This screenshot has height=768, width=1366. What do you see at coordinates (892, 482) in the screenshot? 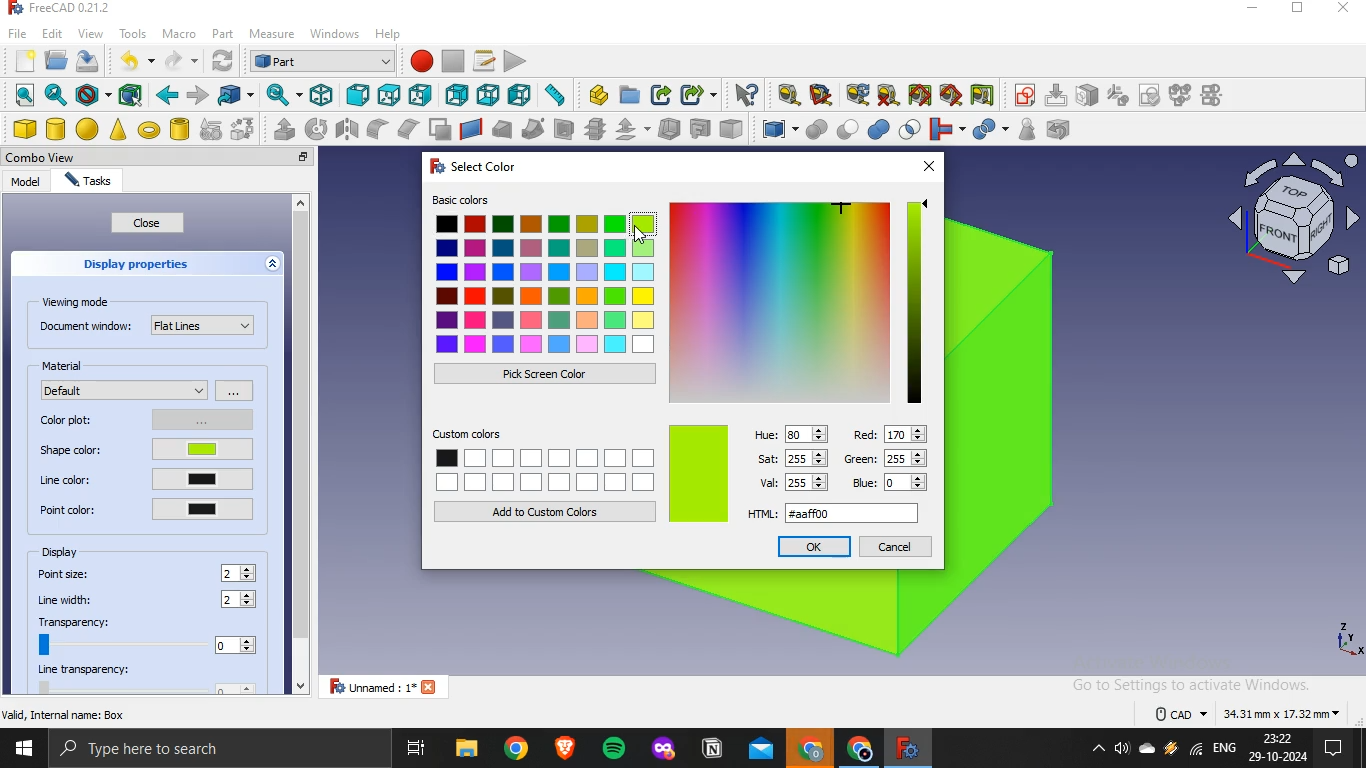
I see `blue` at bounding box center [892, 482].